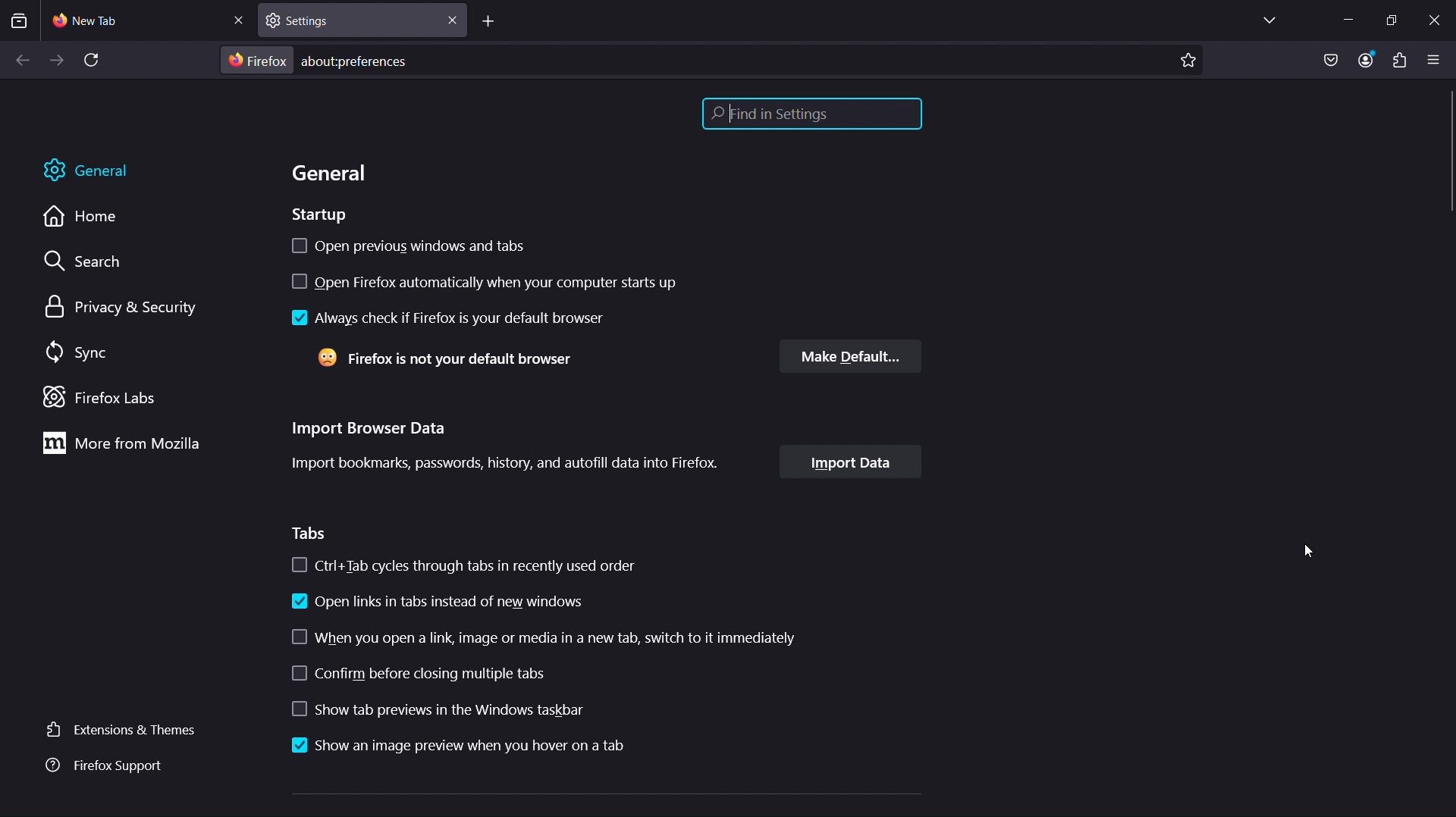  I want to click on Extensions and Themes, so click(126, 729).